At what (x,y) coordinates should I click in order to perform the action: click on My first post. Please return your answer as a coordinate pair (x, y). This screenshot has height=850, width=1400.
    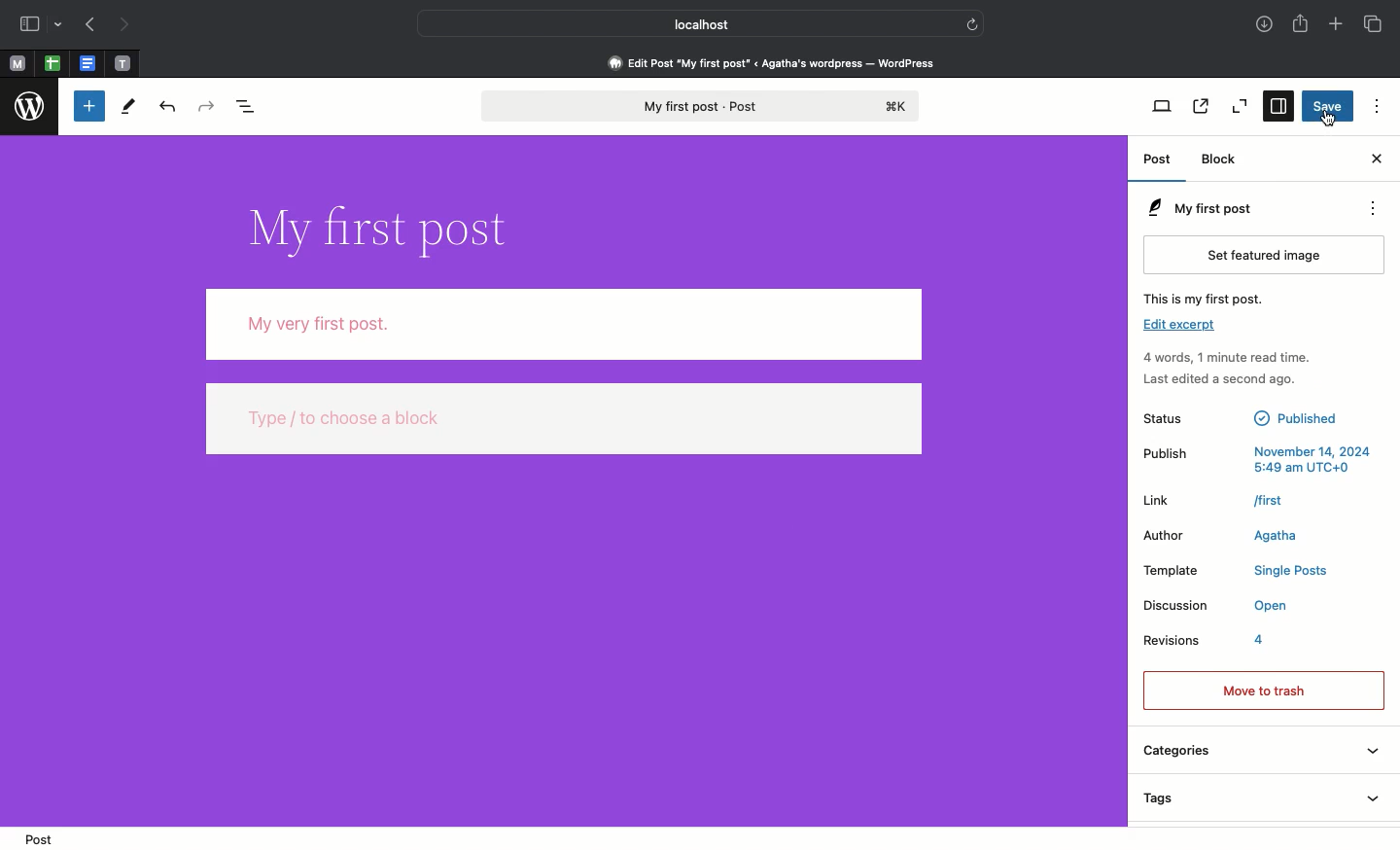
    Looking at the image, I should click on (697, 107).